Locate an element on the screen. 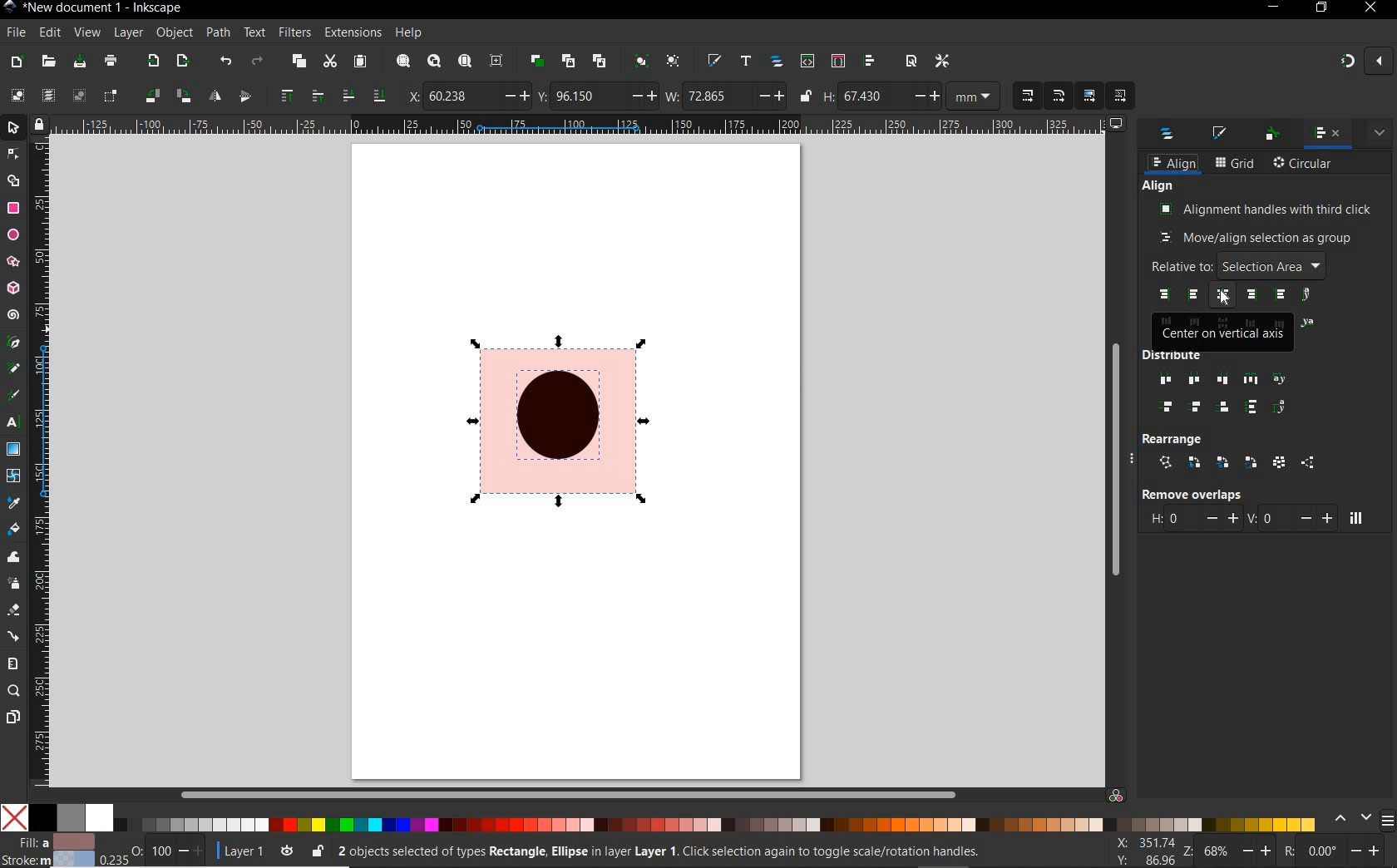  extensions is located at coordinates (351, 32).